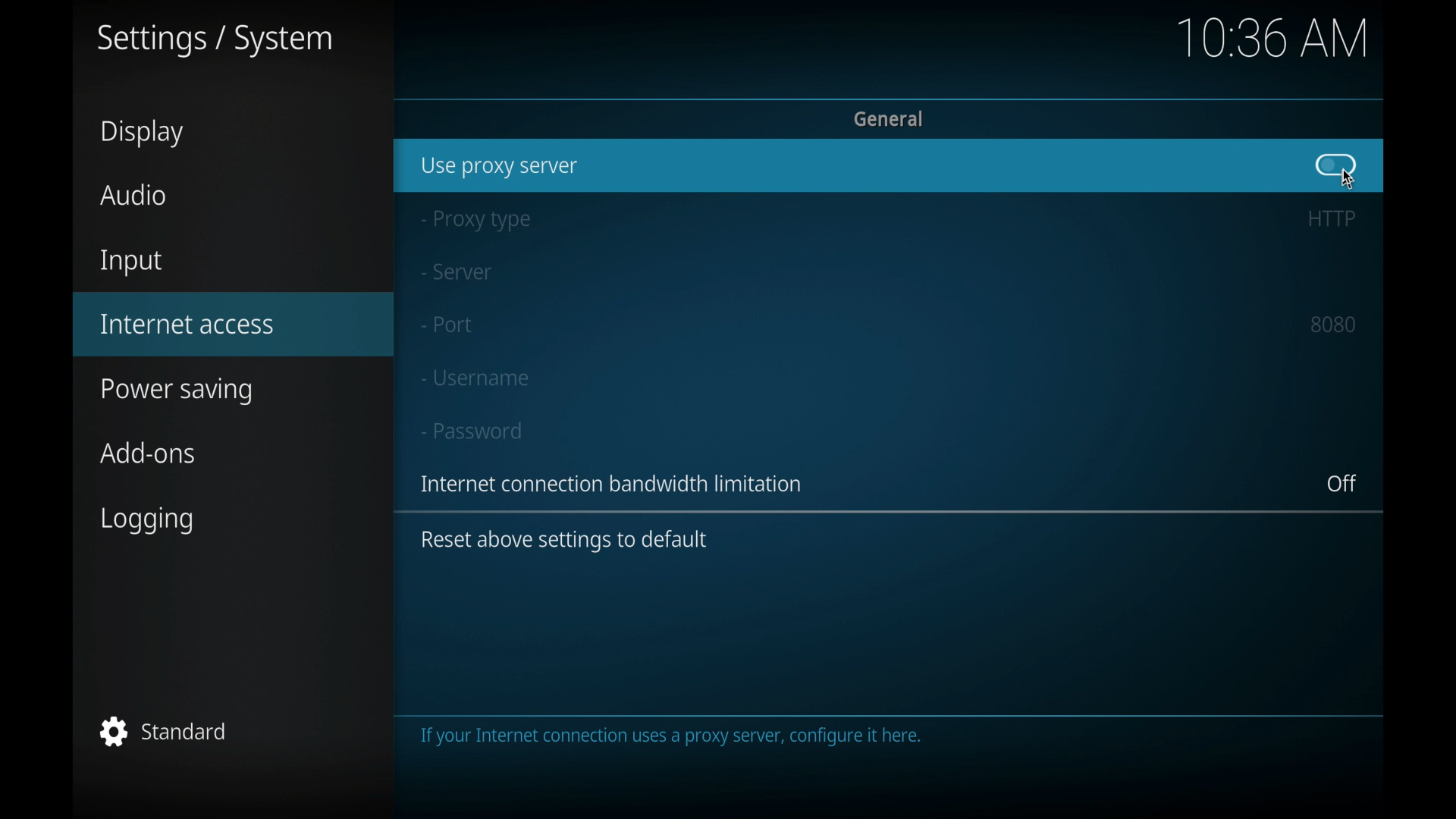  What do you see at coordinates (1330, 218) in the screenshot?
I see `http` at bounding box center [1330, 218].